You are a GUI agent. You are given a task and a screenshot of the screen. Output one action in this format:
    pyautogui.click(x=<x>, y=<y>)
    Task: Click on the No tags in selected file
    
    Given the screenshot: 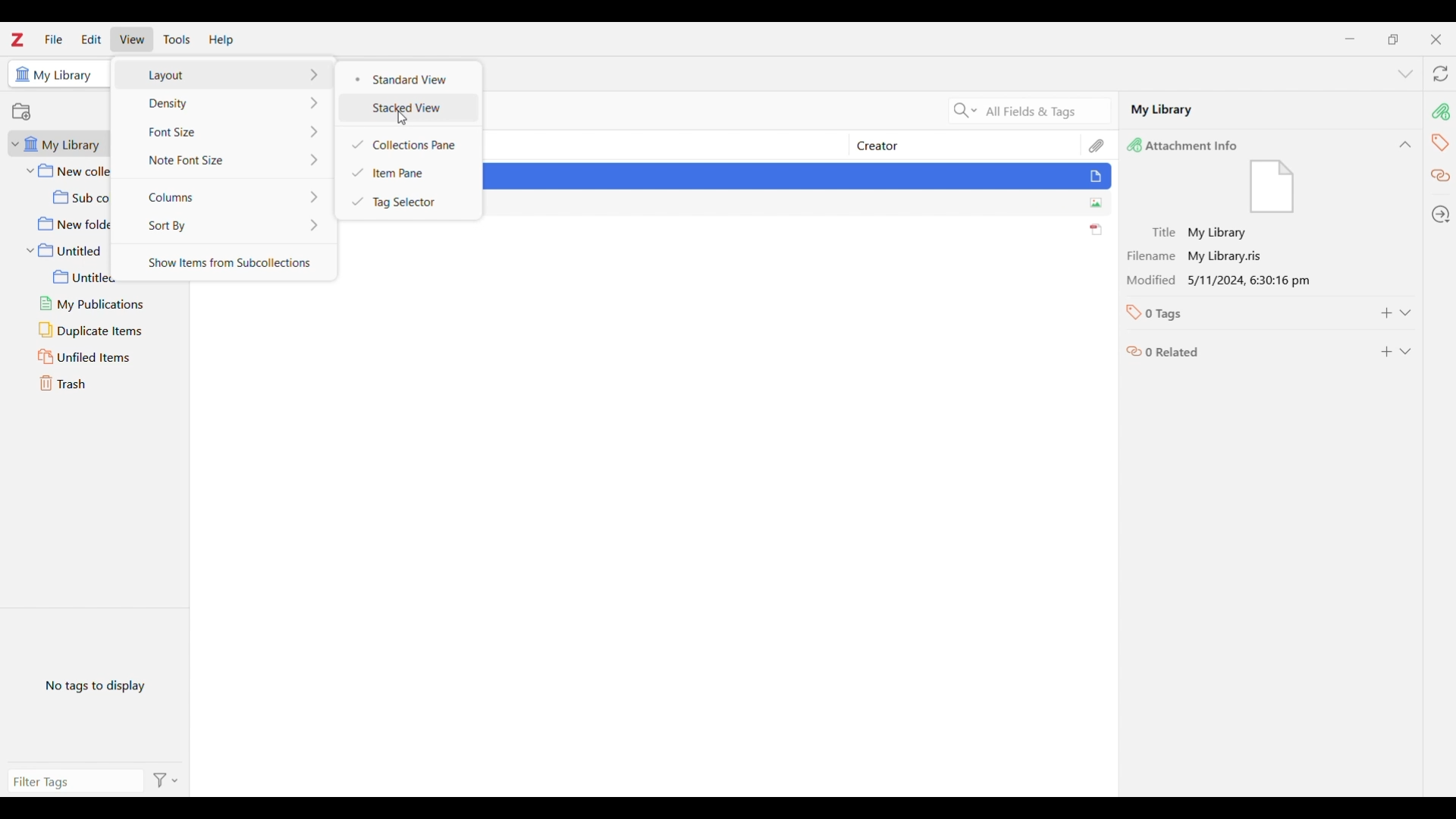 What is the action you would take?
    pyautogui.click(x=95, y=684)
    